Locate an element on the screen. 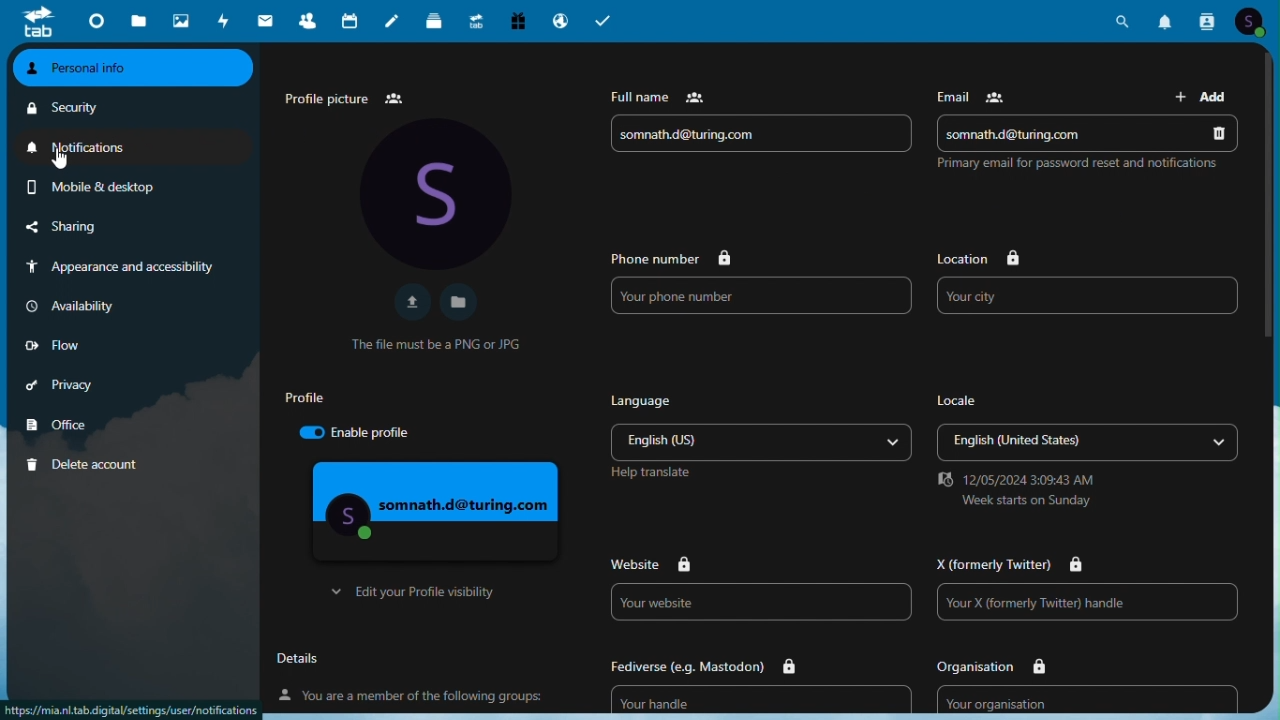 This screenshot has width=1280, height=720. Organization is located at coordinates (1088, 698).